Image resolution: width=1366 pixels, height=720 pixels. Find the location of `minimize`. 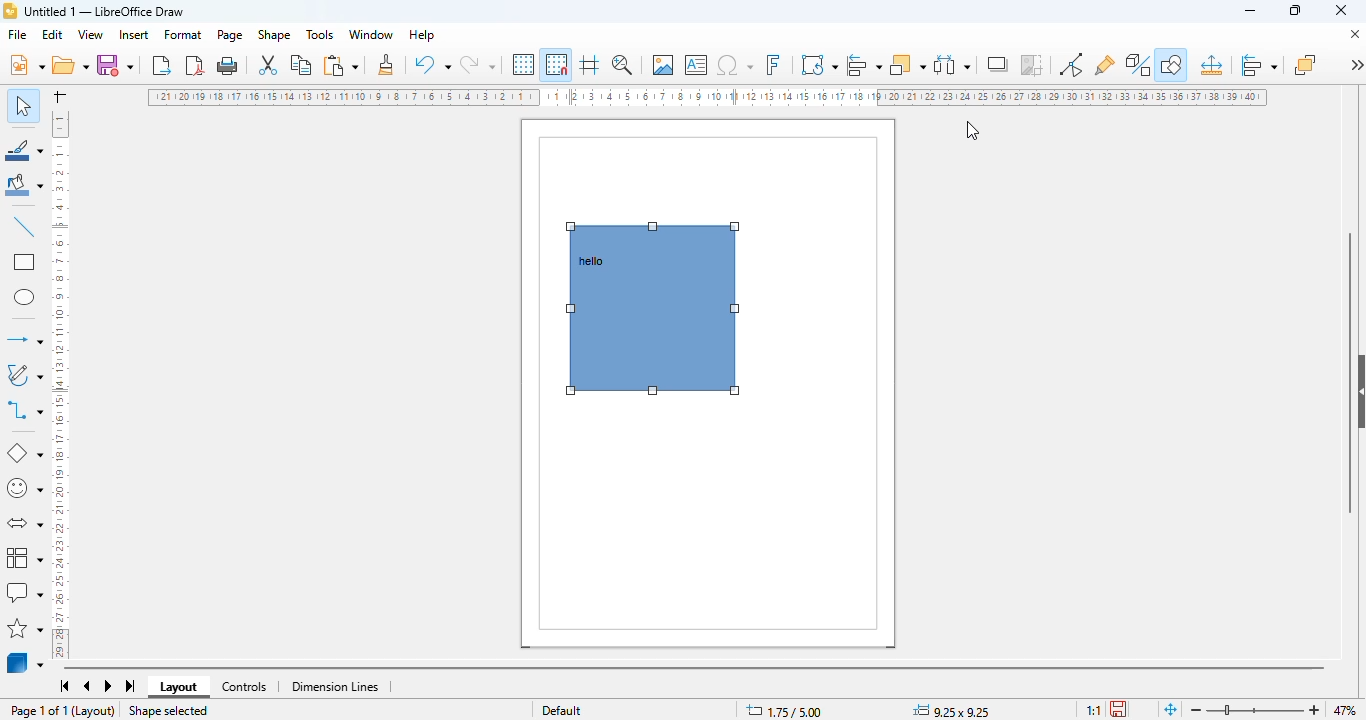

minimize is located at coordinates (1250, 11).